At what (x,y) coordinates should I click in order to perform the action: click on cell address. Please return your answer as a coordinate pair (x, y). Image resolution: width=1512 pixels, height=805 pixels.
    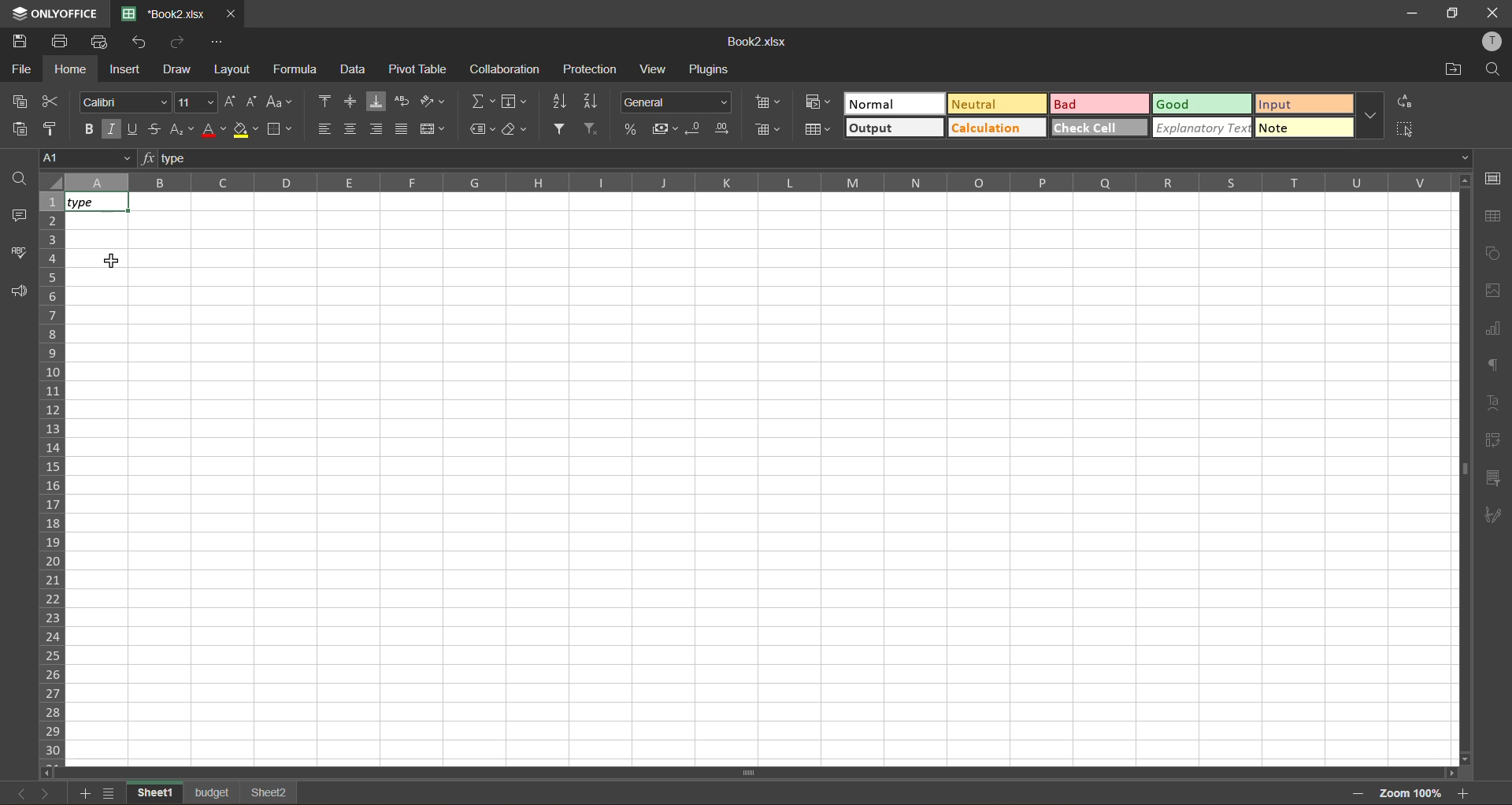
    Looking at the image, I should click on (83, 161).